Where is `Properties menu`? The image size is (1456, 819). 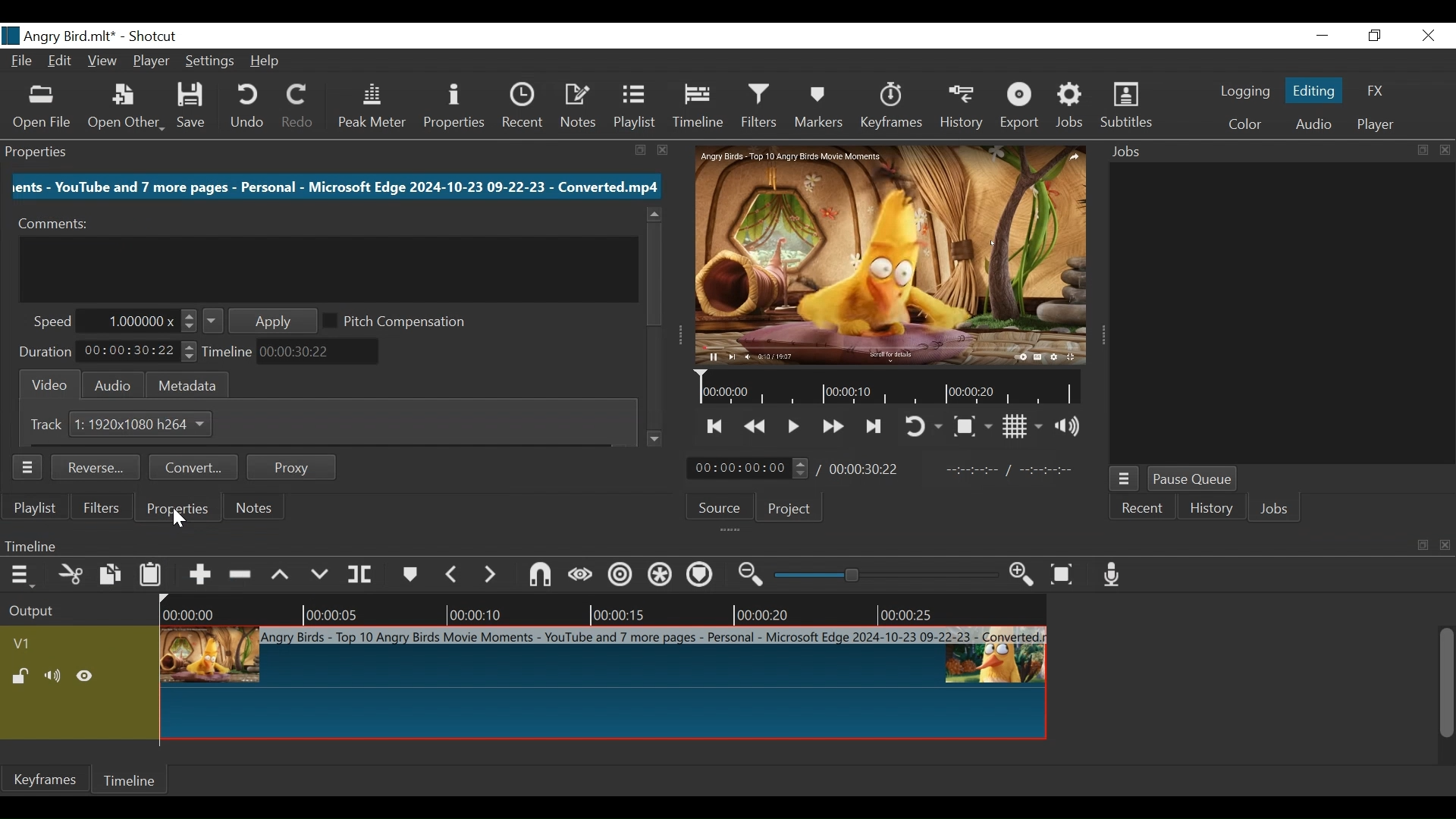 Properties menu is located at coordinates (25, 469).